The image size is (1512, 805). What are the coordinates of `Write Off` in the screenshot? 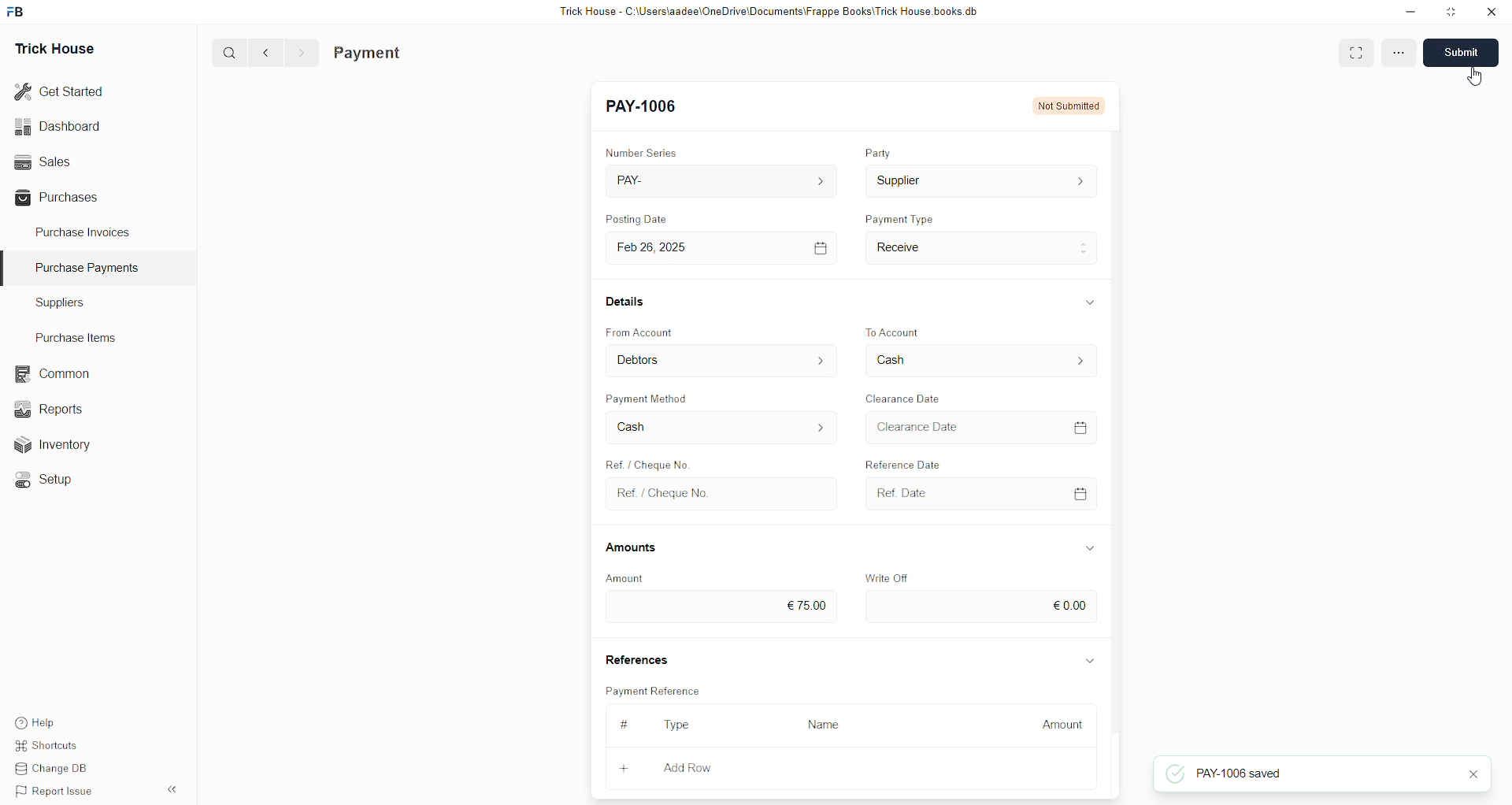 It's located at (888, 574).